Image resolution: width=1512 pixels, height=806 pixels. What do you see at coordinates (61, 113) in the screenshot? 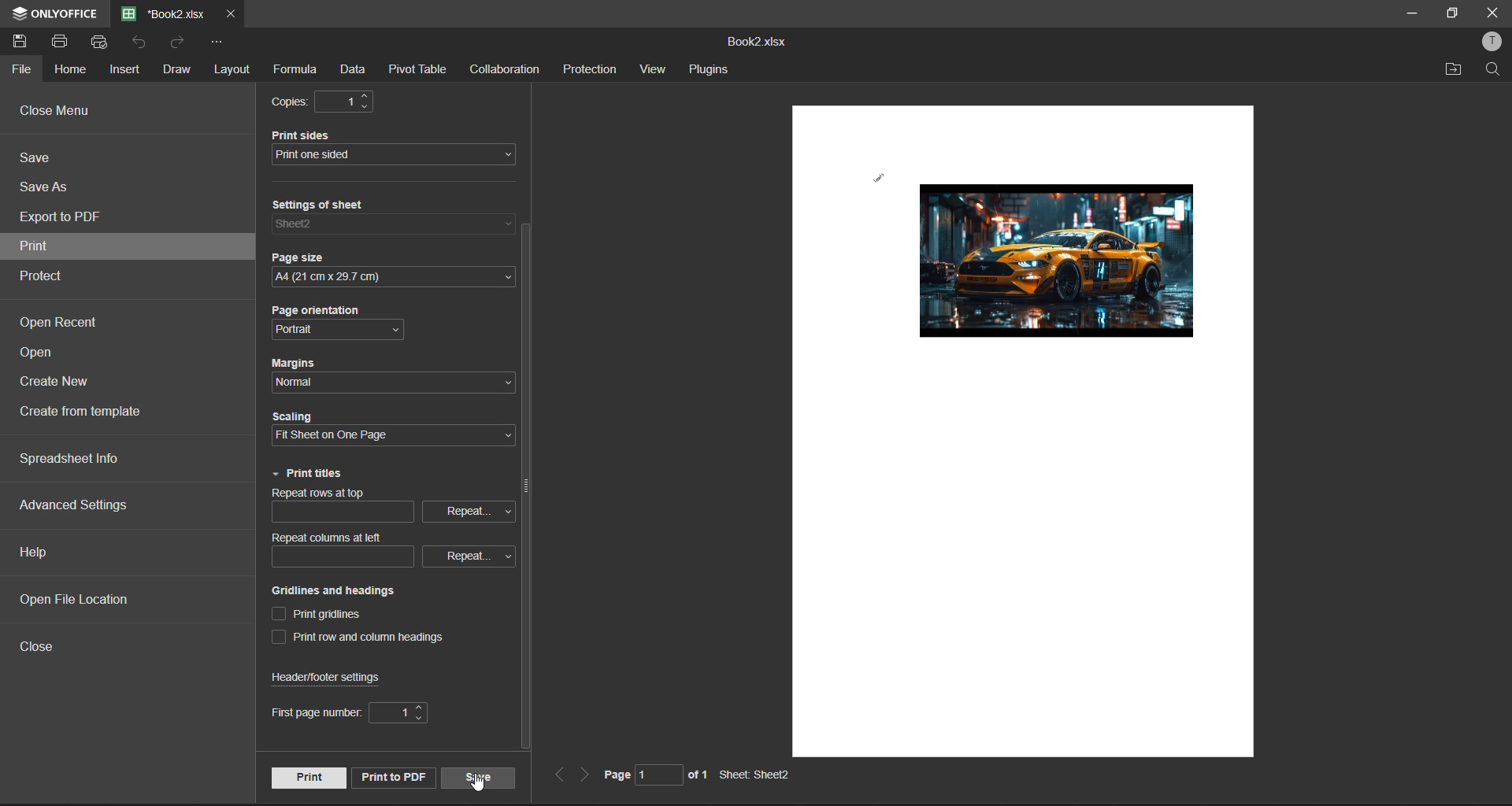
I see `close menu` at bounding box center [61, 113].